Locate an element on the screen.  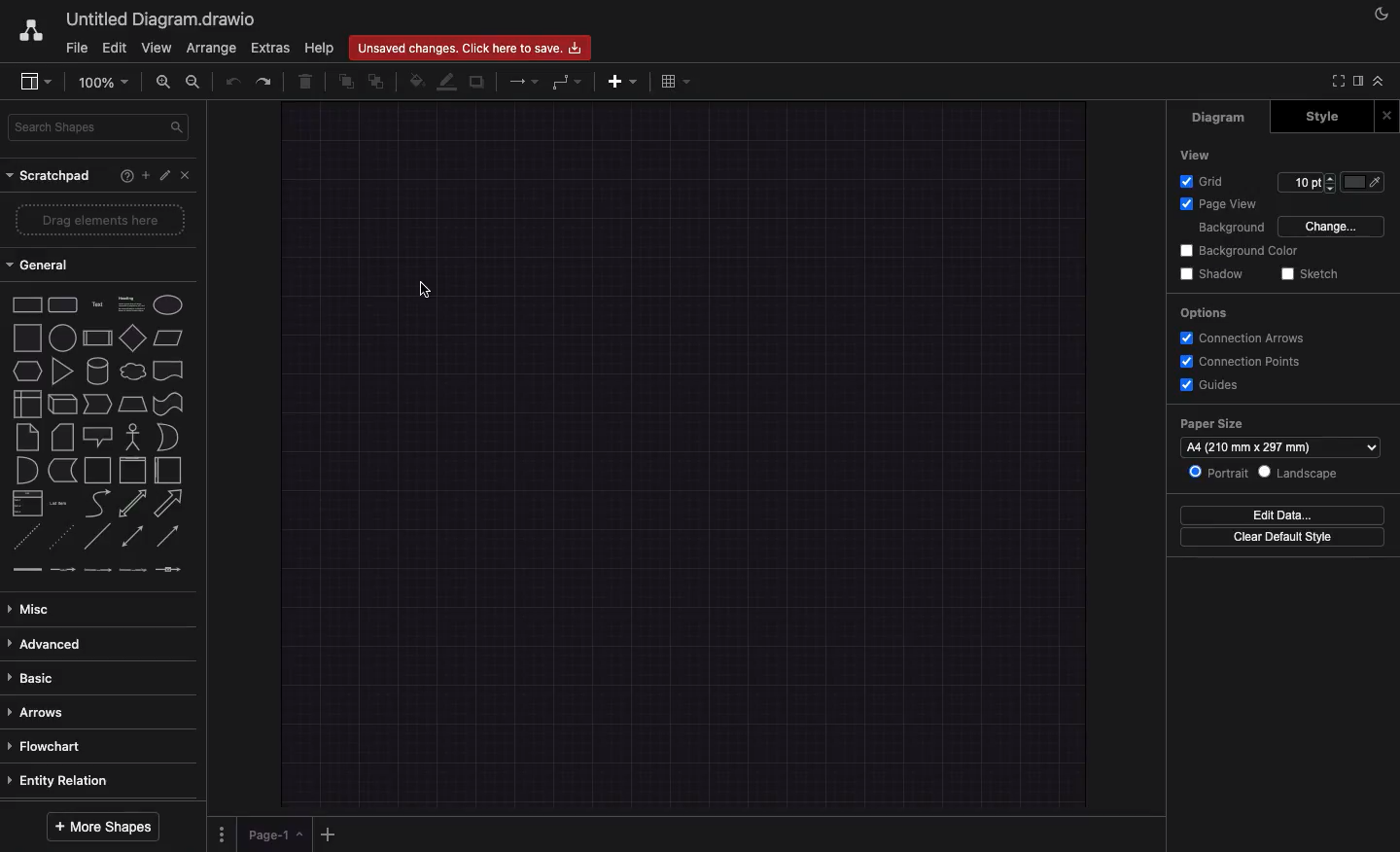
bidirectional arrow is located at coordinates (132, 504).